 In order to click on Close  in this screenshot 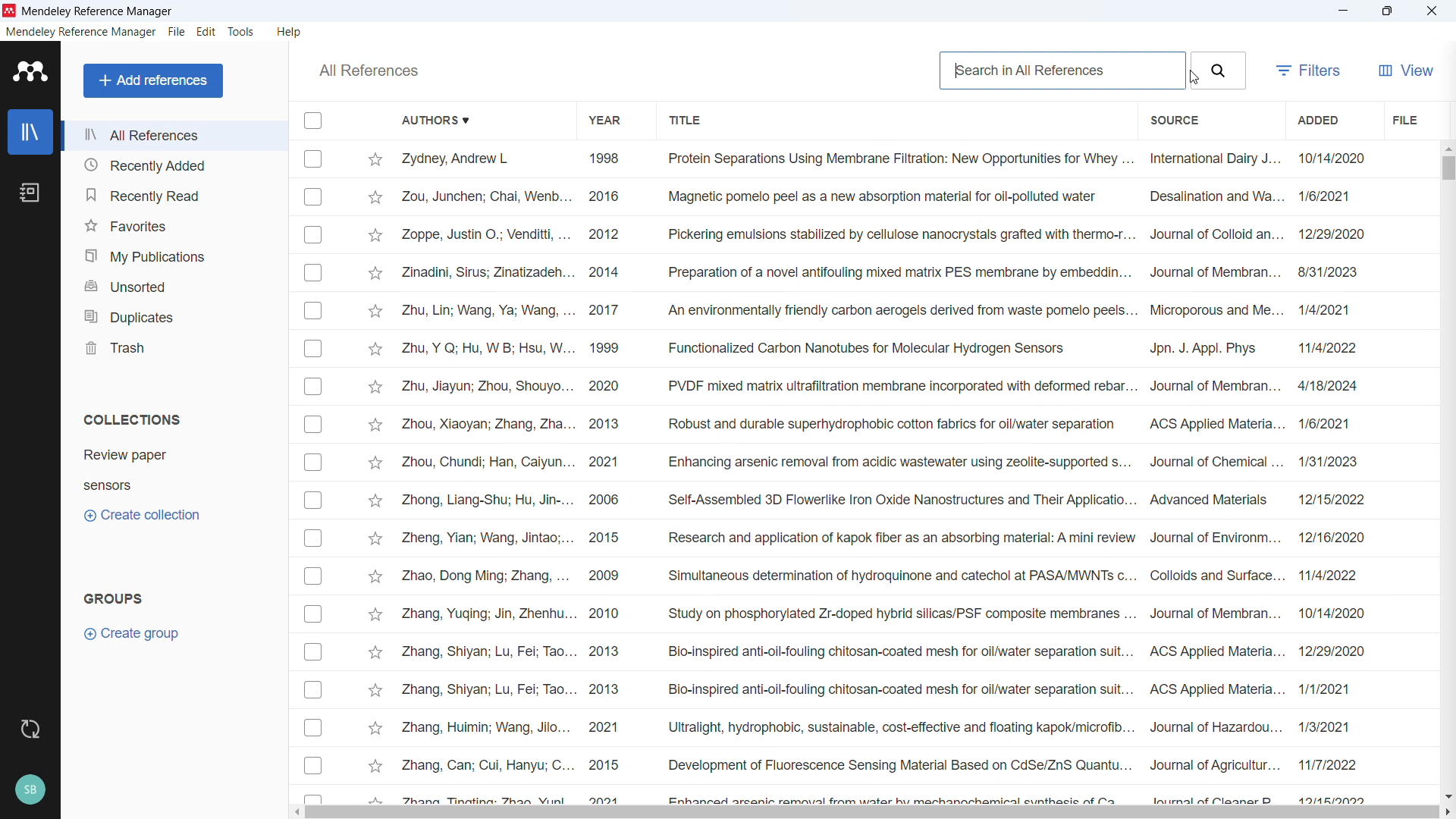, I will do `click(1431, 11)`.